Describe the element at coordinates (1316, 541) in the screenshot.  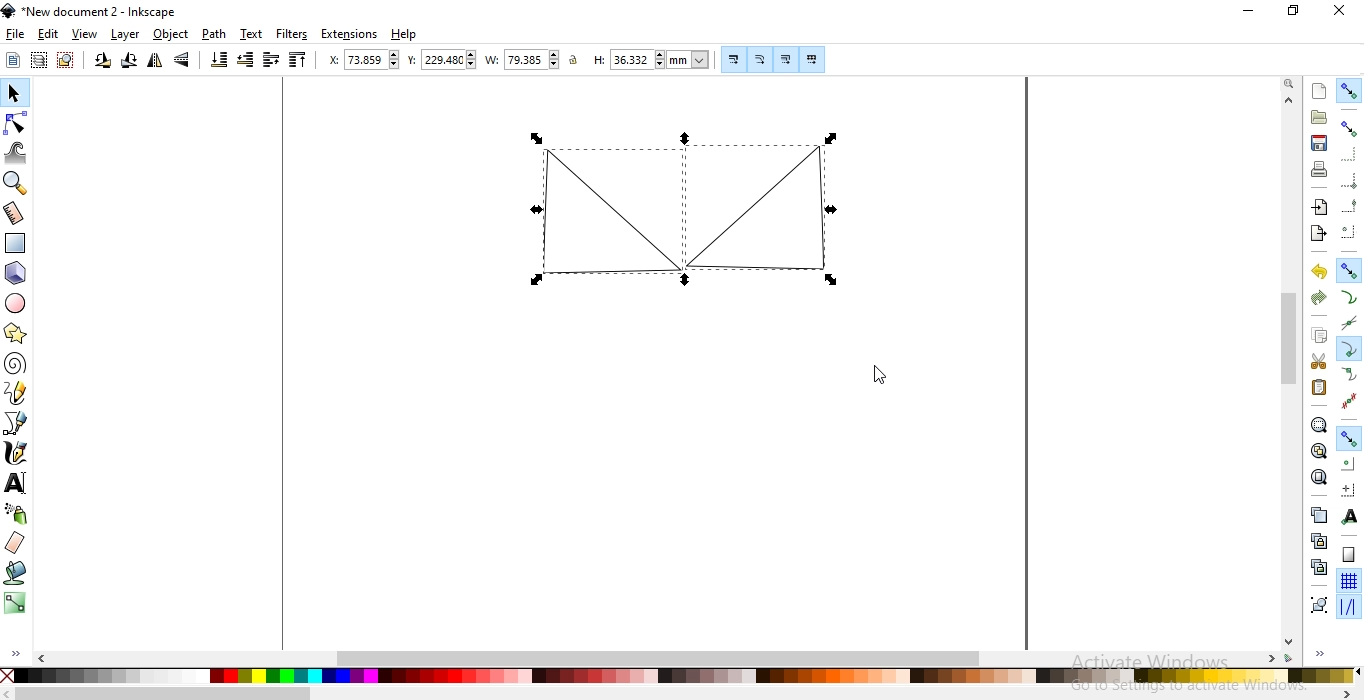
I see `create a clone` at that location.